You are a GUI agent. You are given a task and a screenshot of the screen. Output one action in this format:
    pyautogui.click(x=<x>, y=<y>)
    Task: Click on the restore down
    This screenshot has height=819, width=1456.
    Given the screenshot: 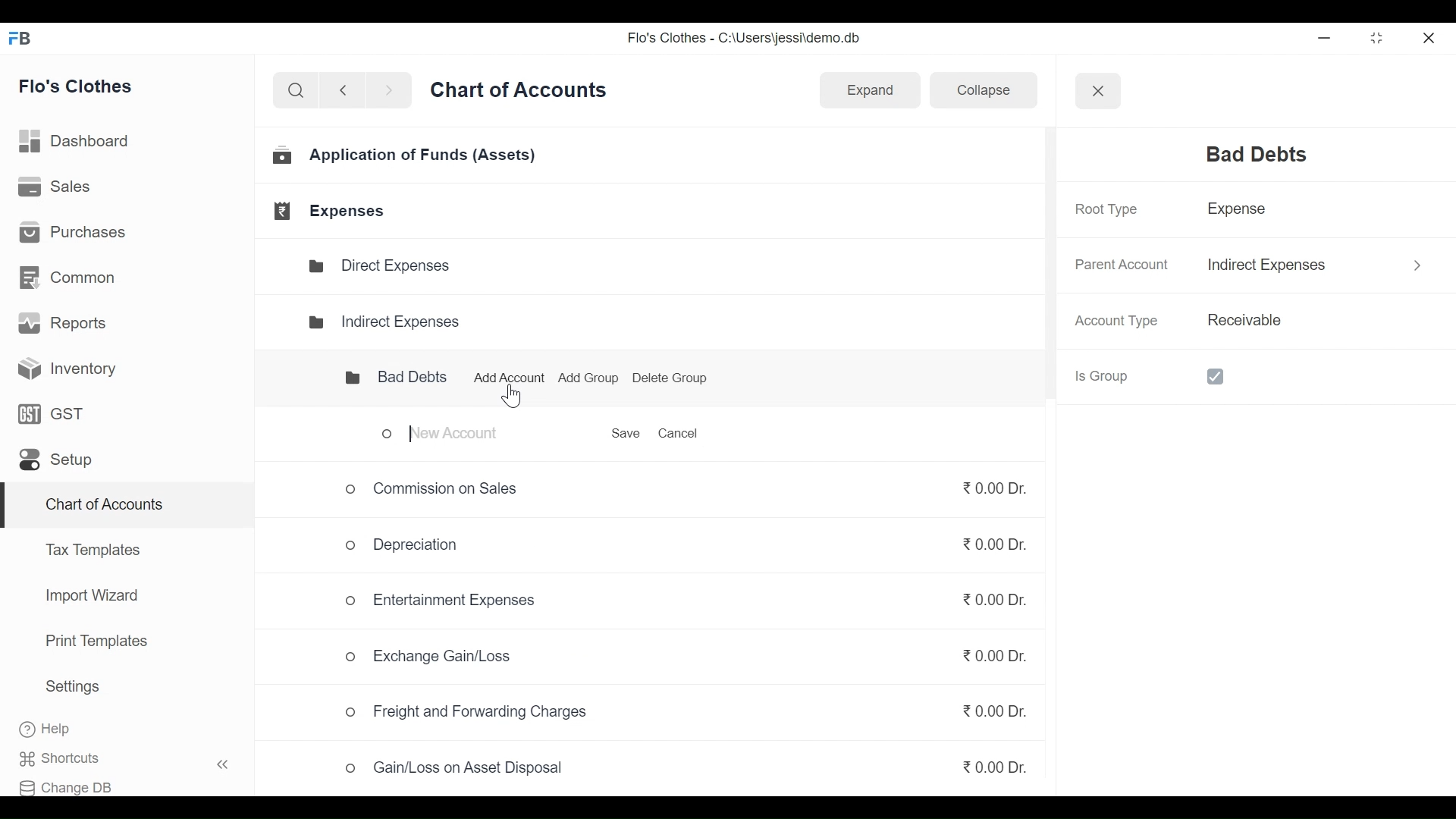 What is the action you would take?
    pyautogui.click(x=1375, y=39)
    